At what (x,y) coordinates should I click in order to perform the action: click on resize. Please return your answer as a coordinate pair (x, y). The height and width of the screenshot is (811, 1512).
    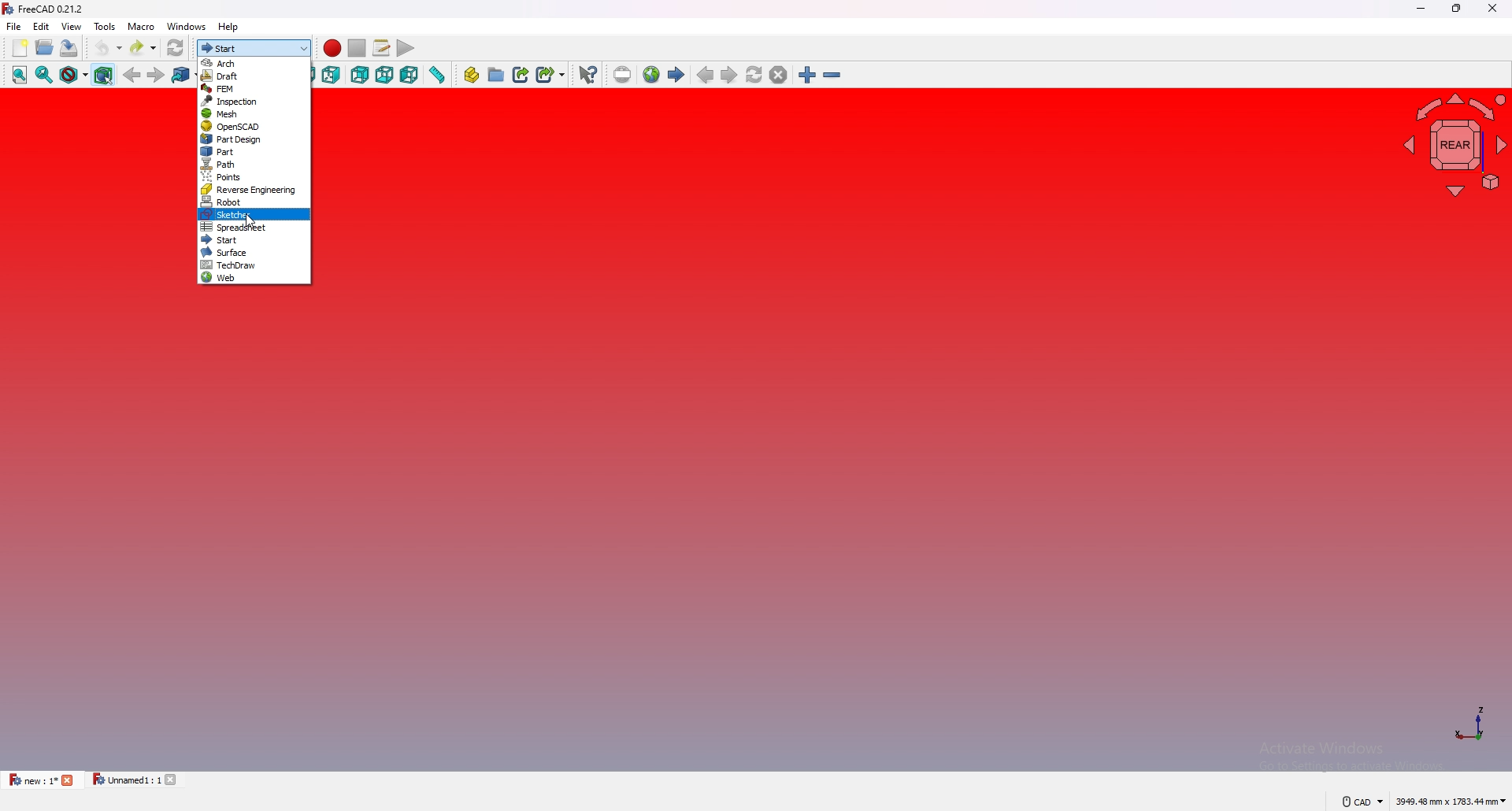
    Looking at the image, I should click on (1458, 8).